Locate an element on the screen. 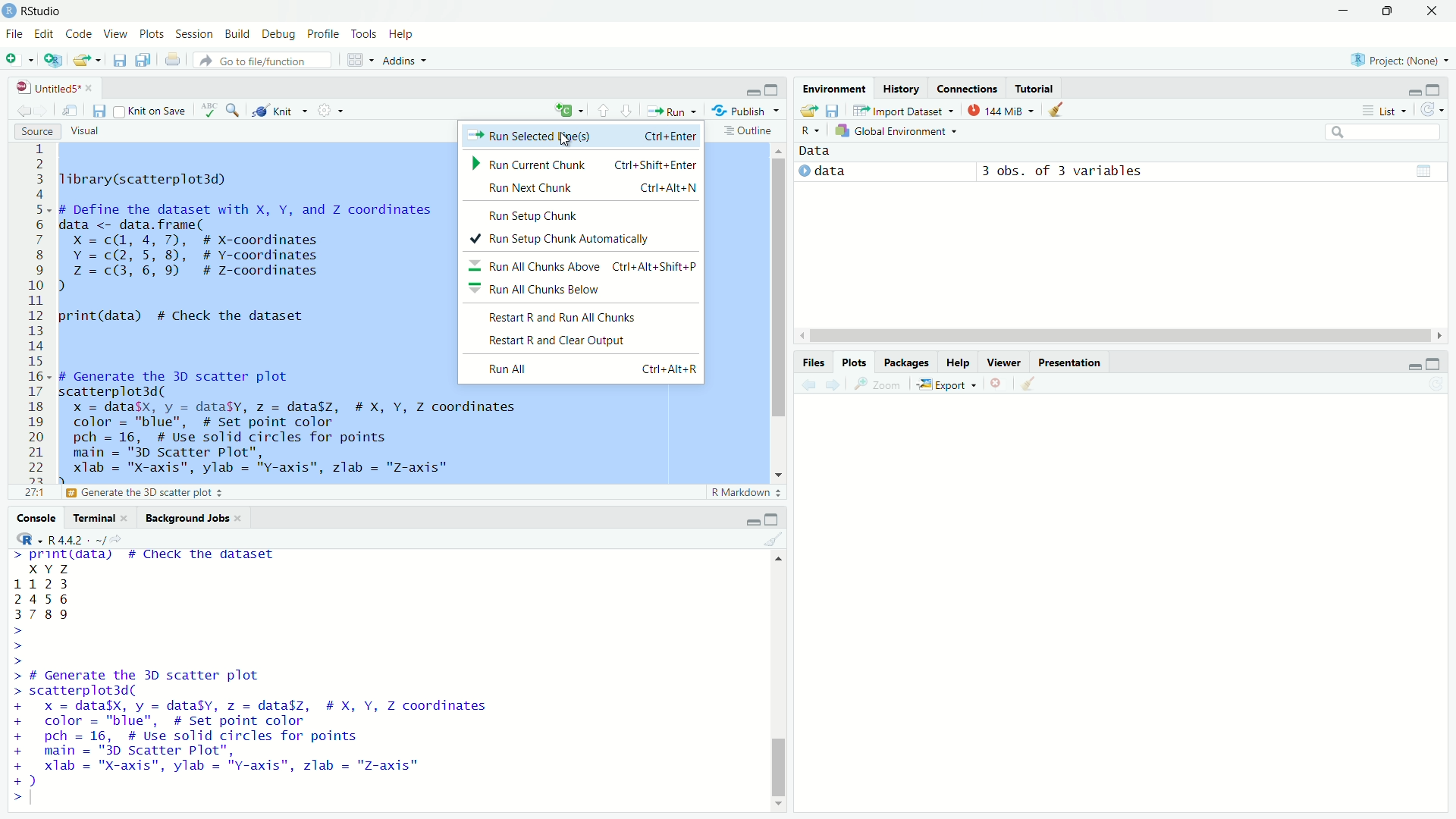 The height and width of the screenshot is (819, 1456). open an existing file is located at coordinates (89, 62).